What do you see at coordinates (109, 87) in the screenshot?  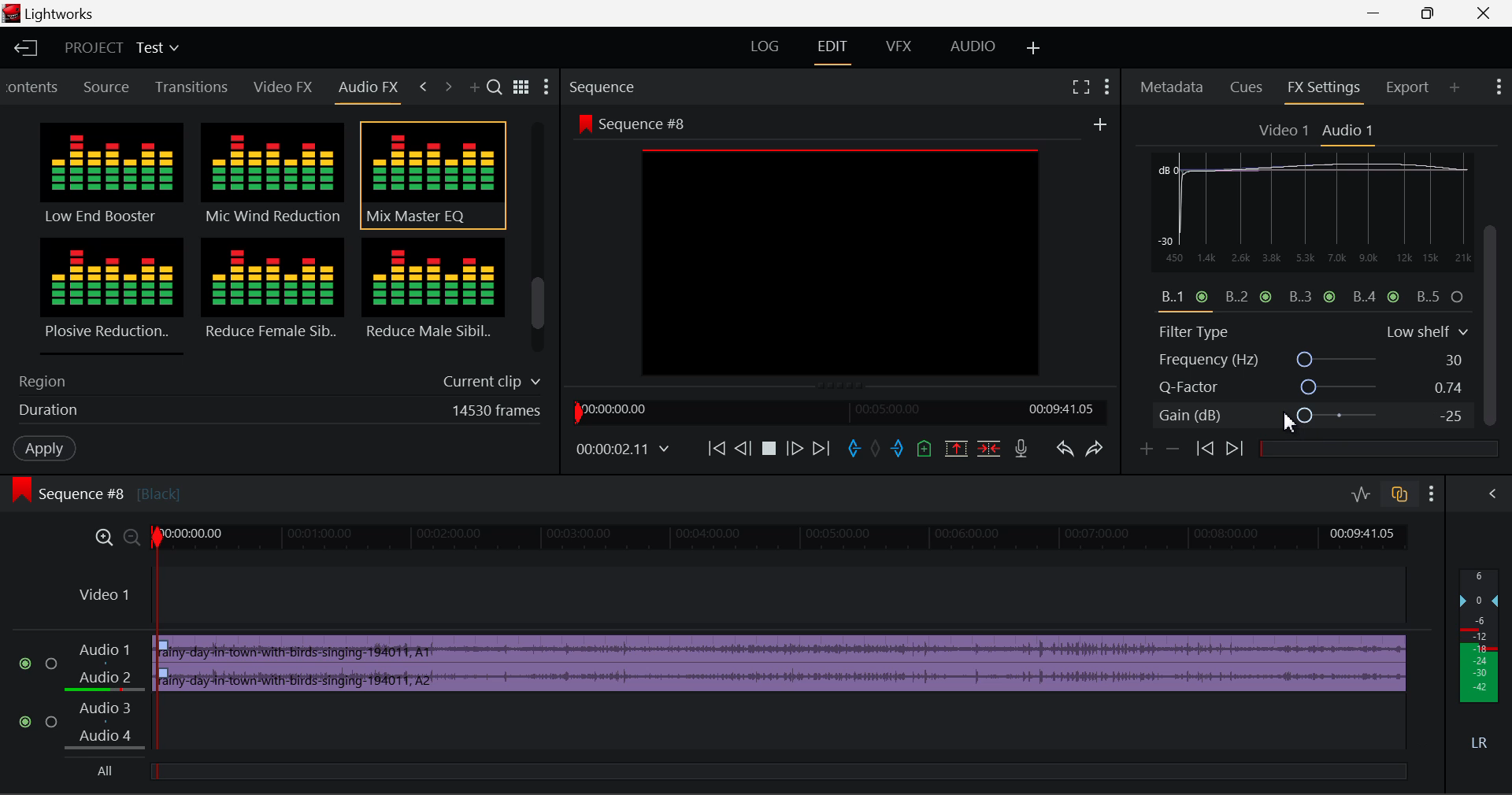 I see `Source` at bounding box center [109, 87].